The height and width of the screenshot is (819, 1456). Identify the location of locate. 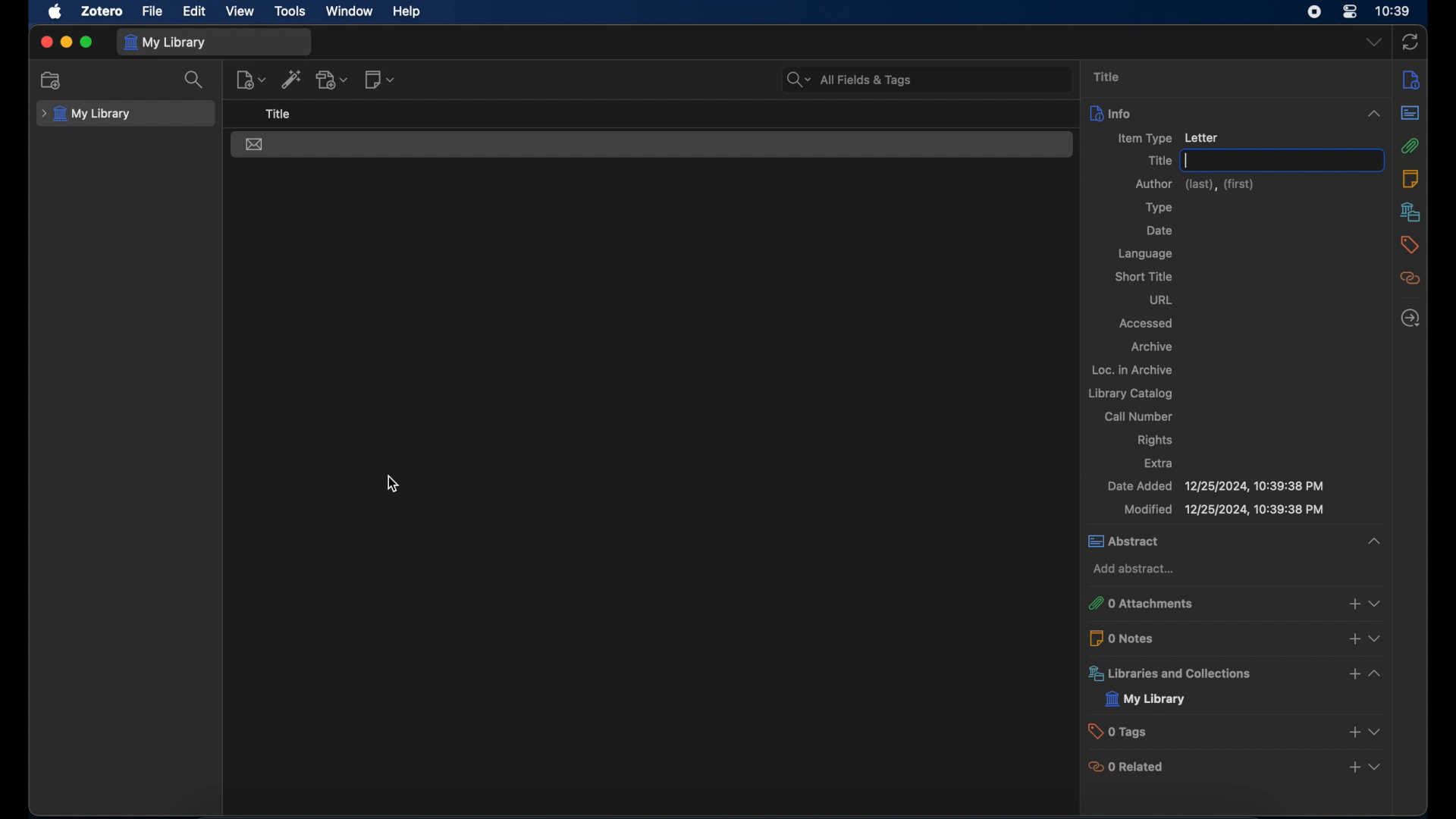
(1410, 319).